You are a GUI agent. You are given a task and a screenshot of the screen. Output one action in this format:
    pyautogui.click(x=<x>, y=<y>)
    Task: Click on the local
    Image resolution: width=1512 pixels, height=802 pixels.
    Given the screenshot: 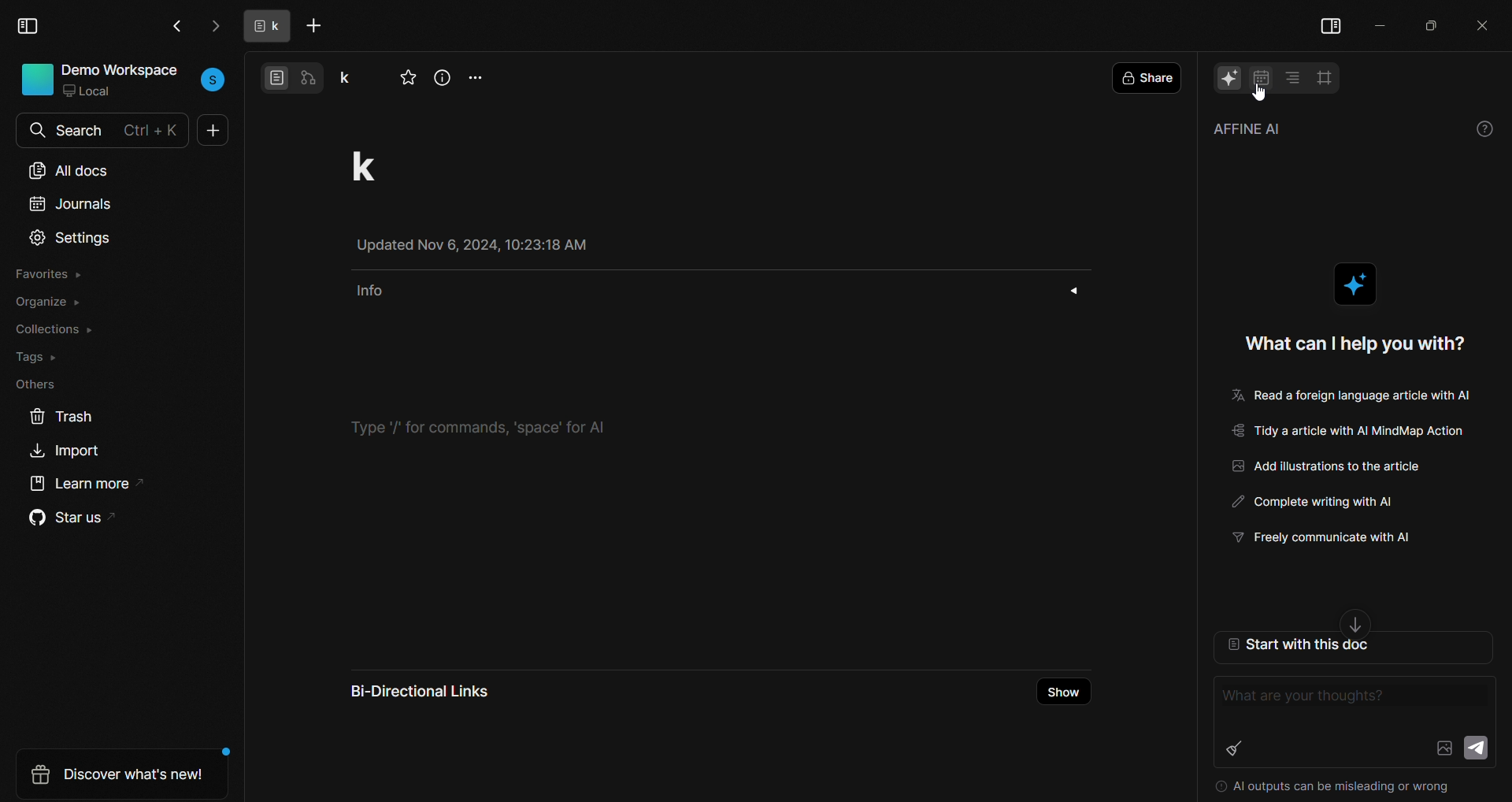 What is the action you would take?
    pyautogui.click(x=94, y=93)
    